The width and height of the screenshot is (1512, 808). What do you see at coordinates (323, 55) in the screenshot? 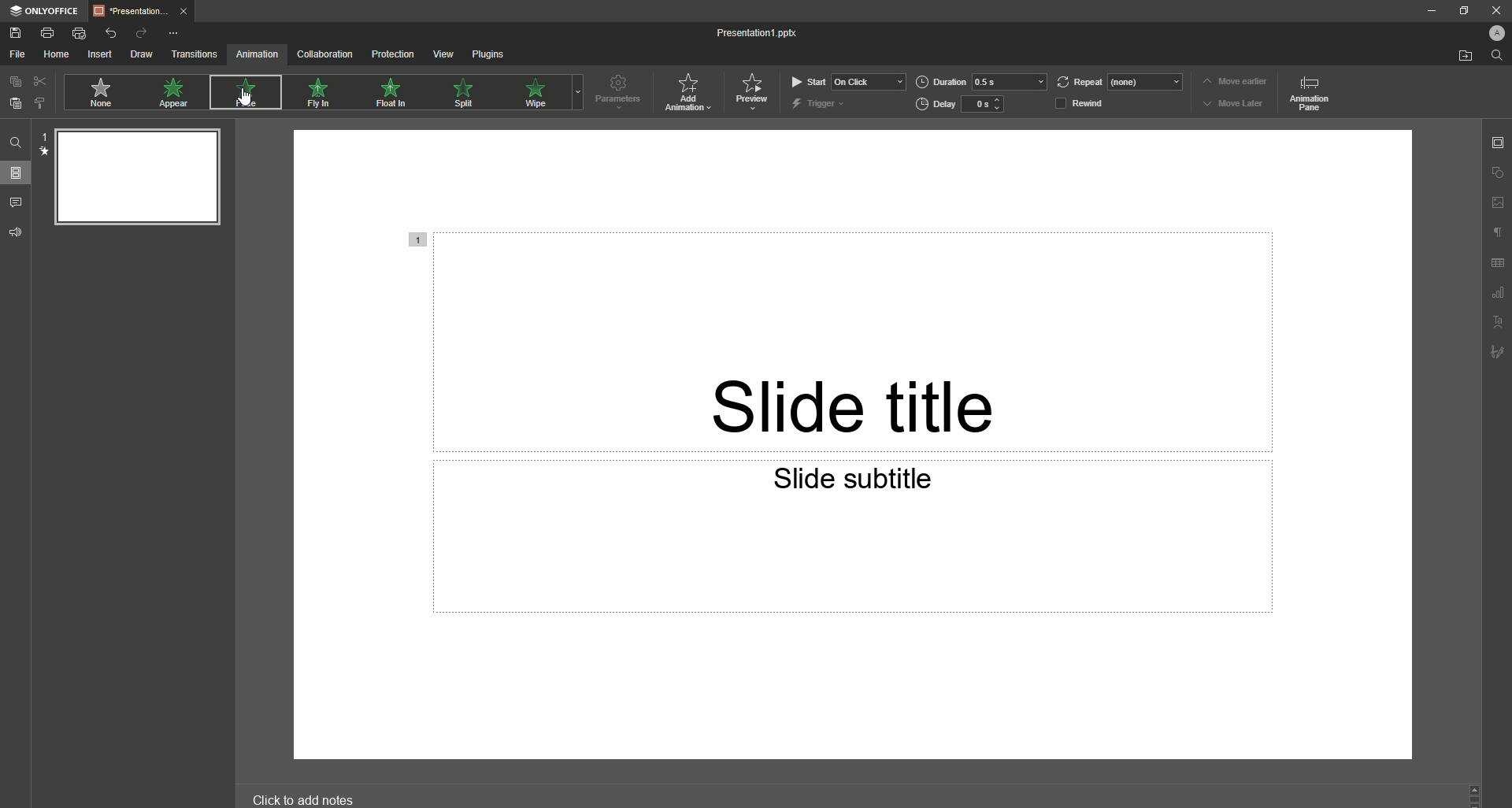
I see `Collaboration` at bounding box center [323, 55].